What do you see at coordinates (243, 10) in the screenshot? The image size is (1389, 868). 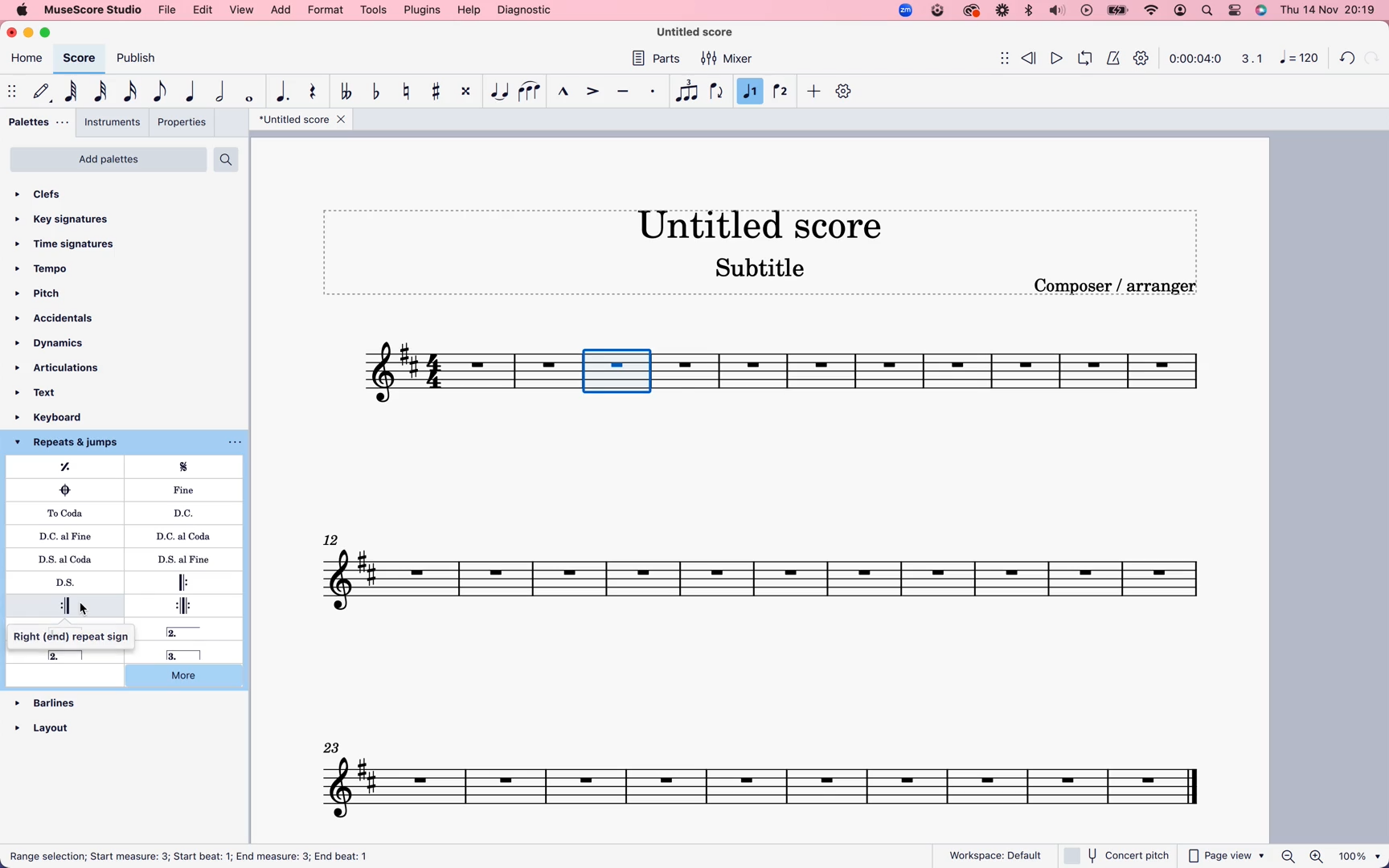 I see `view` at bounding box center [243, 10].